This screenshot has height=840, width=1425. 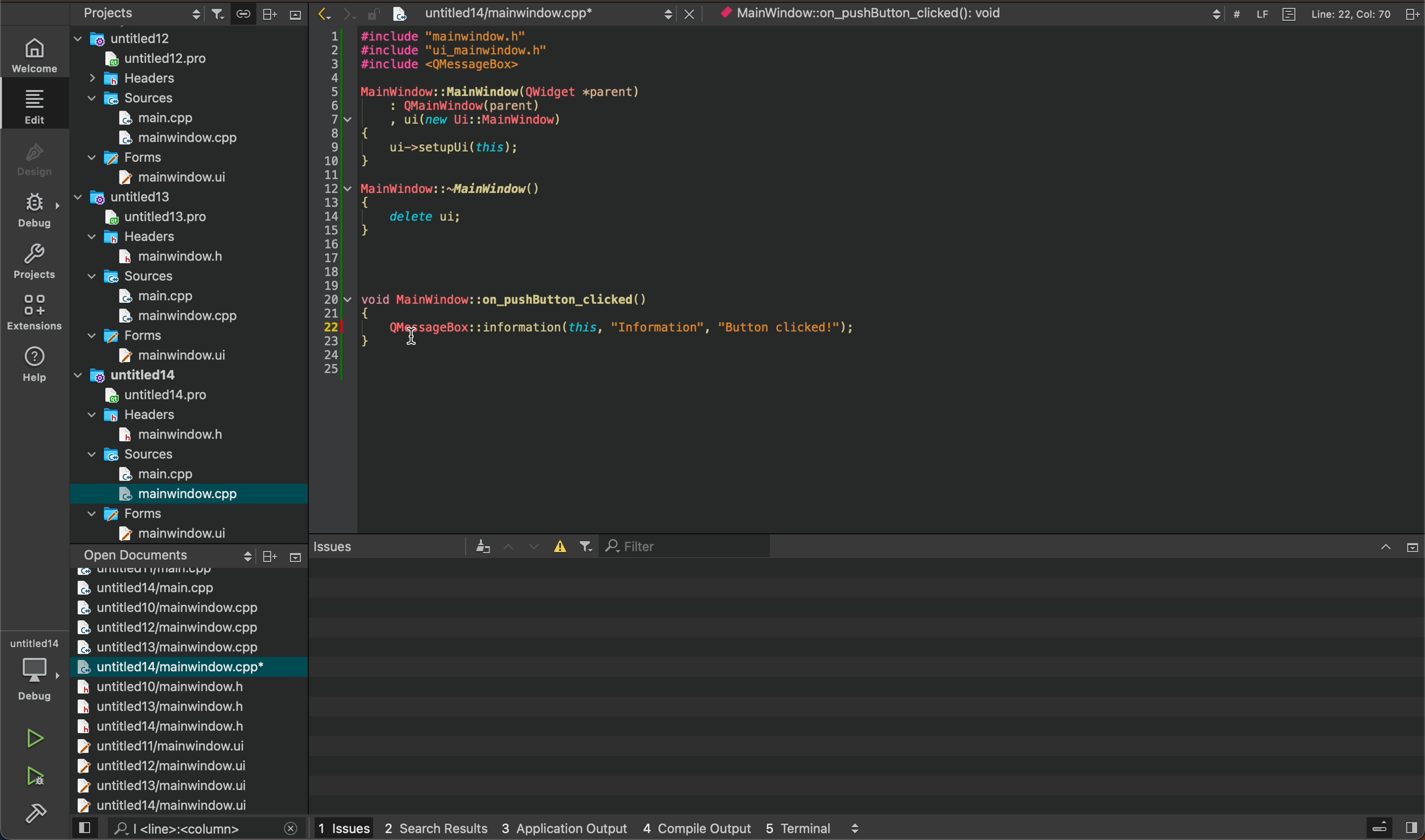 I want to click on headers, so click(x=147, y=80).